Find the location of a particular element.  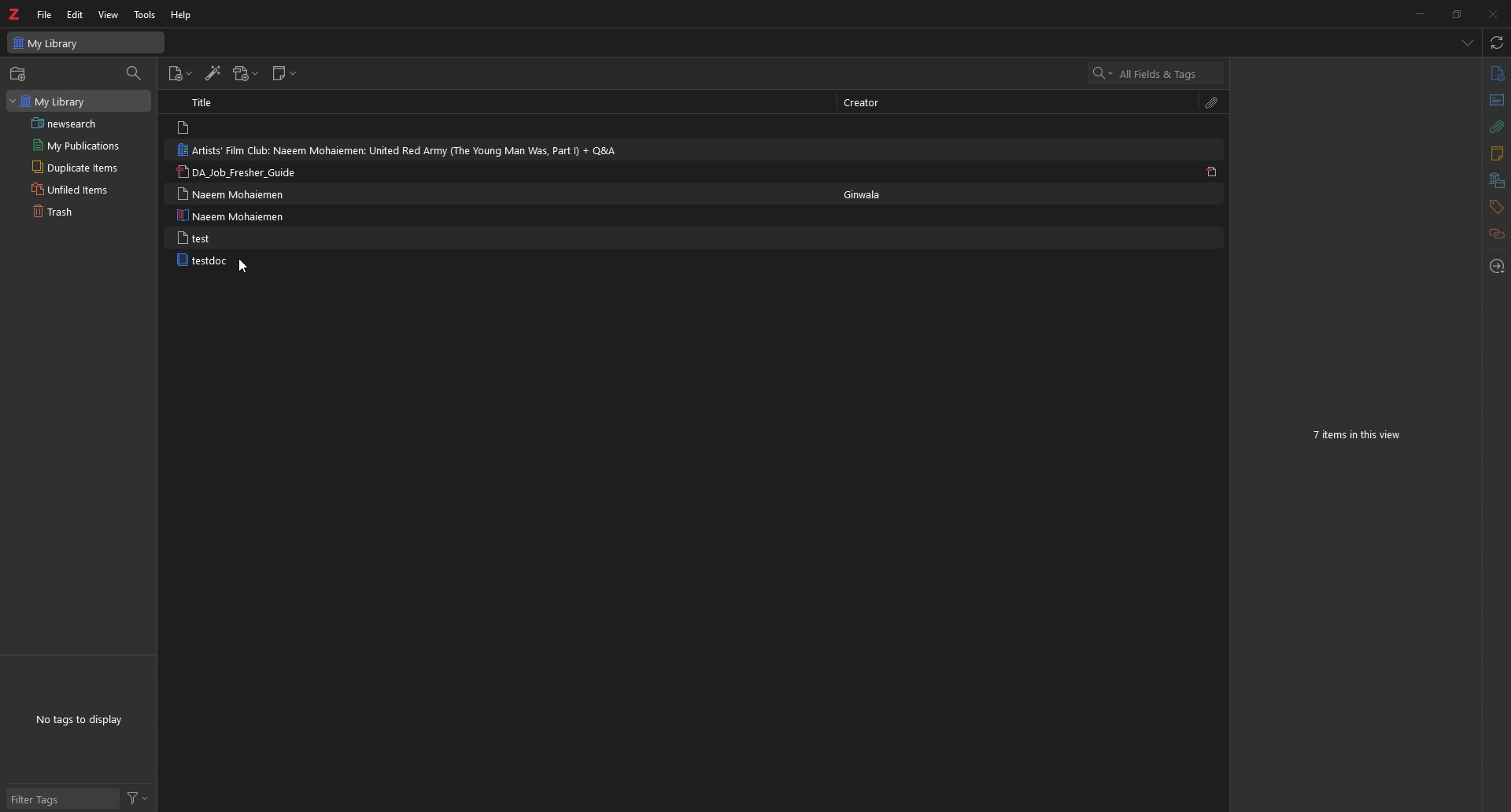

Minimize is located at coordinates (1420, 14).